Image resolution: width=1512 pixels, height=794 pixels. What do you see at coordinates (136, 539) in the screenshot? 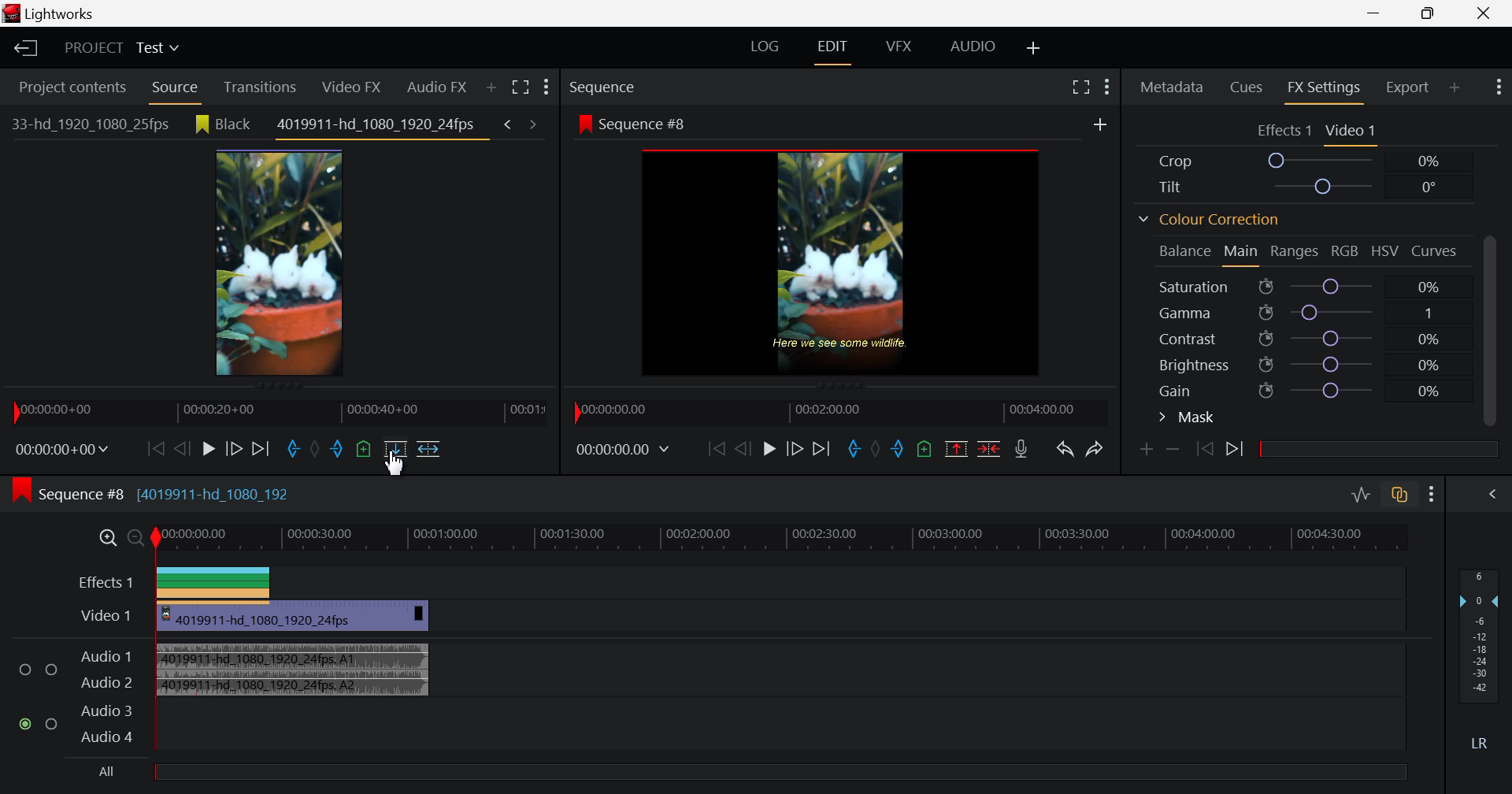
I see `Timeline Zoom Out` at bounding box center [136, 539].